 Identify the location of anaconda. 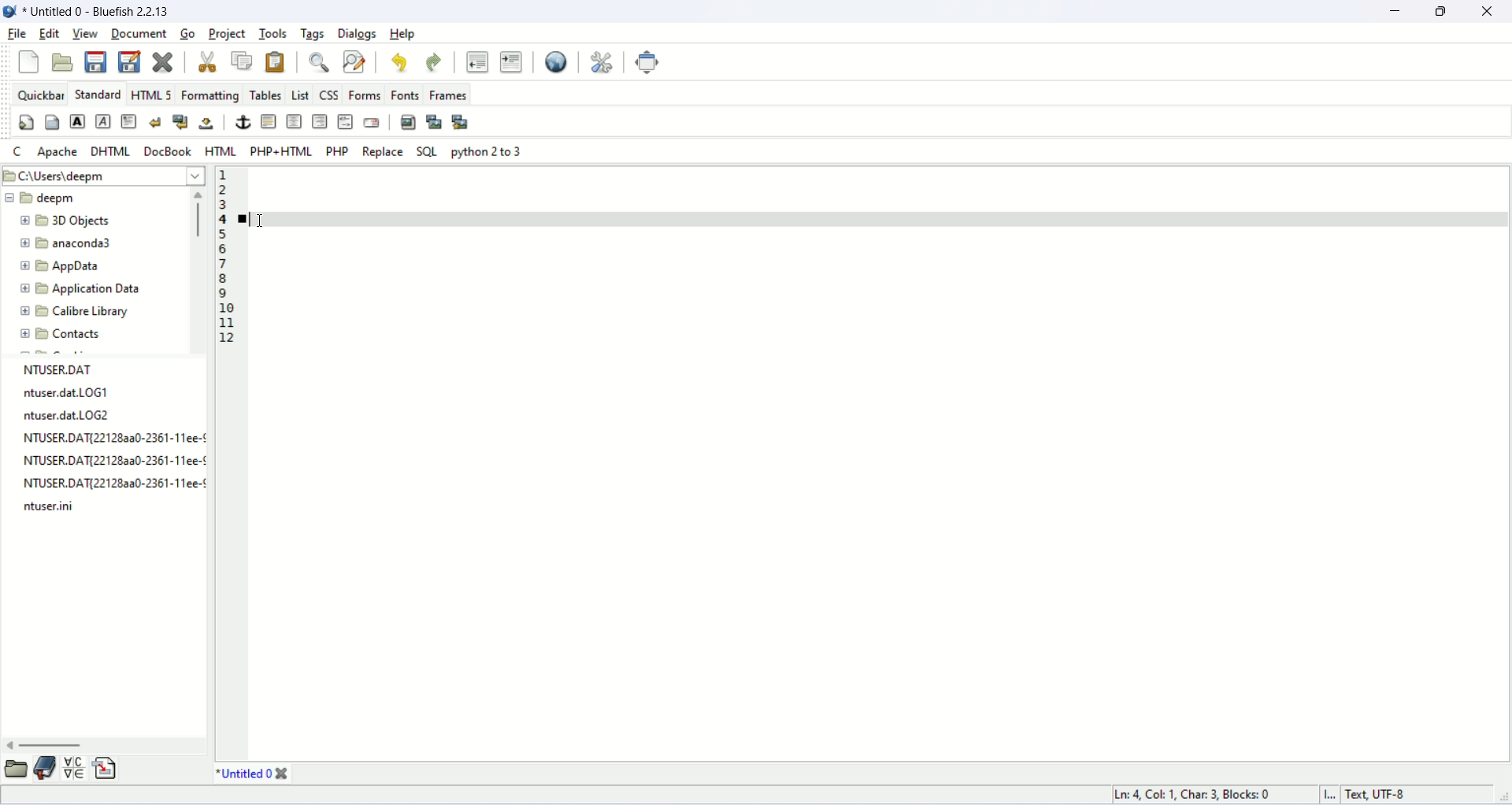
(71, 243).